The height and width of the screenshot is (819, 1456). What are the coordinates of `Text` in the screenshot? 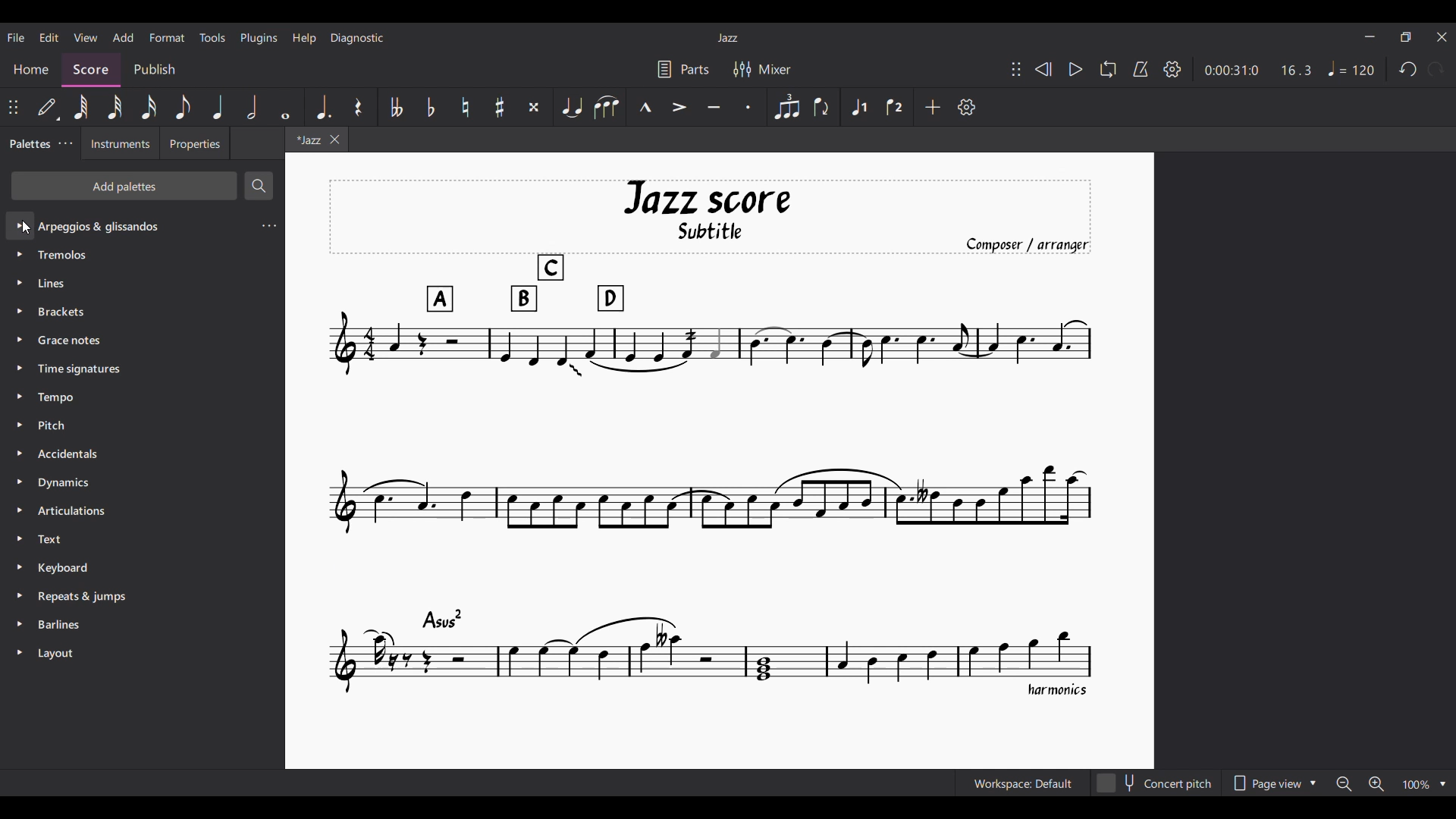 It's located at (54, 538).